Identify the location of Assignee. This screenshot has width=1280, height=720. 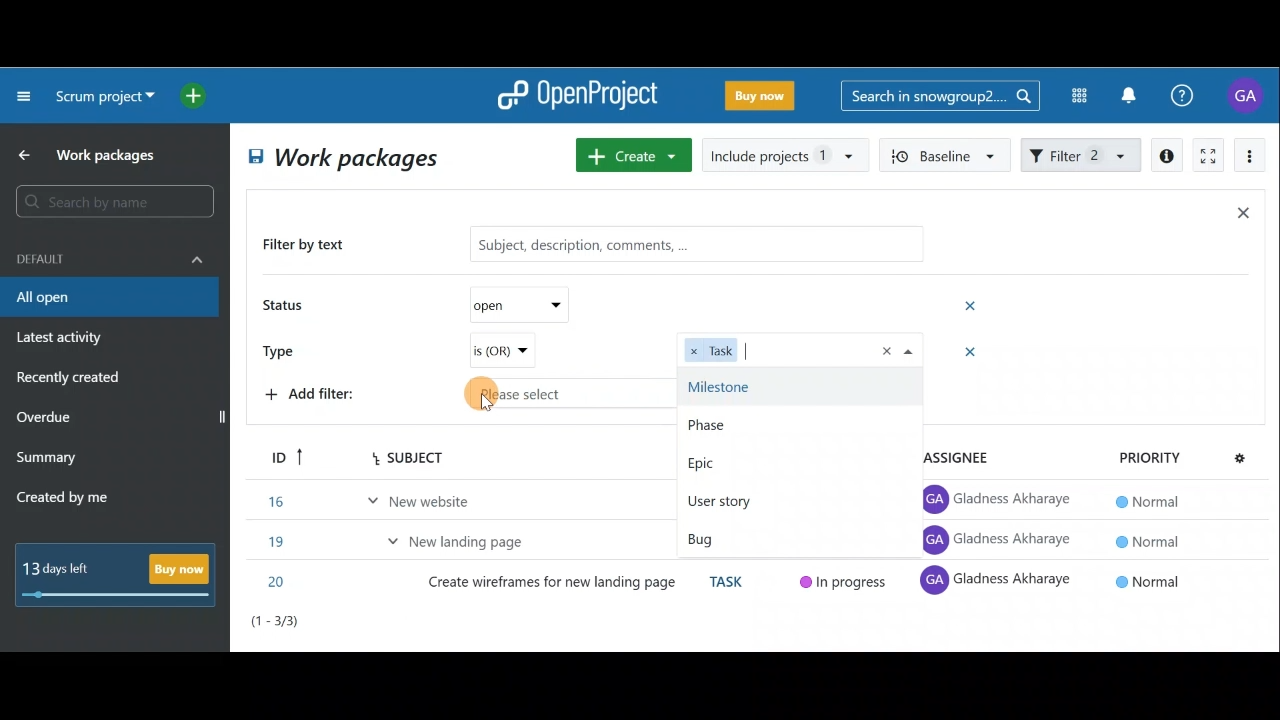
(960, 452).